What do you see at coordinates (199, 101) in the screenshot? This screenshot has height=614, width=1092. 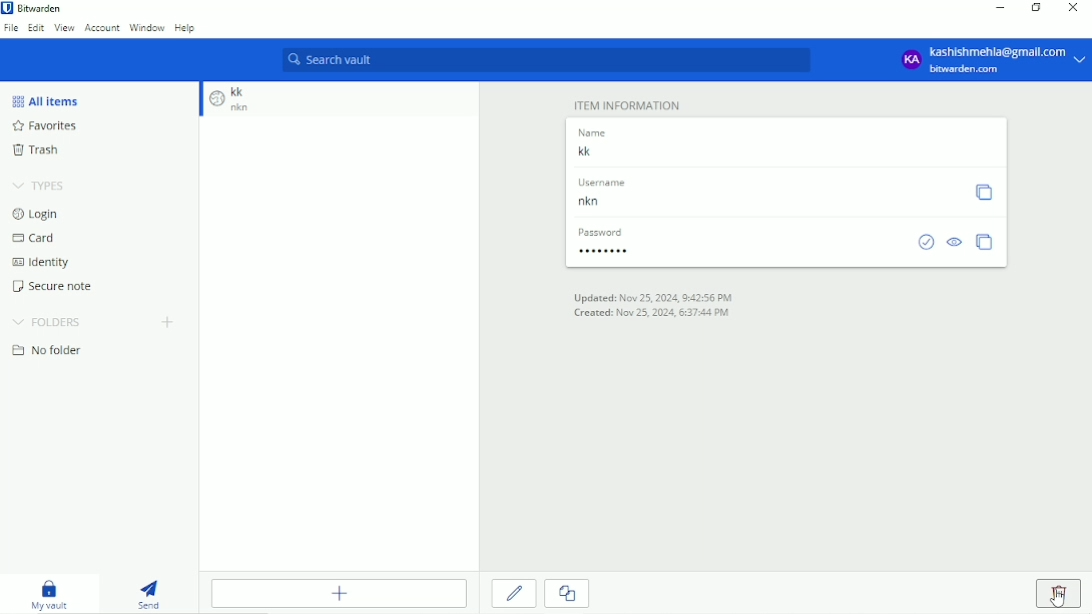 I see `scroll down` at bounding box center [199, 101].